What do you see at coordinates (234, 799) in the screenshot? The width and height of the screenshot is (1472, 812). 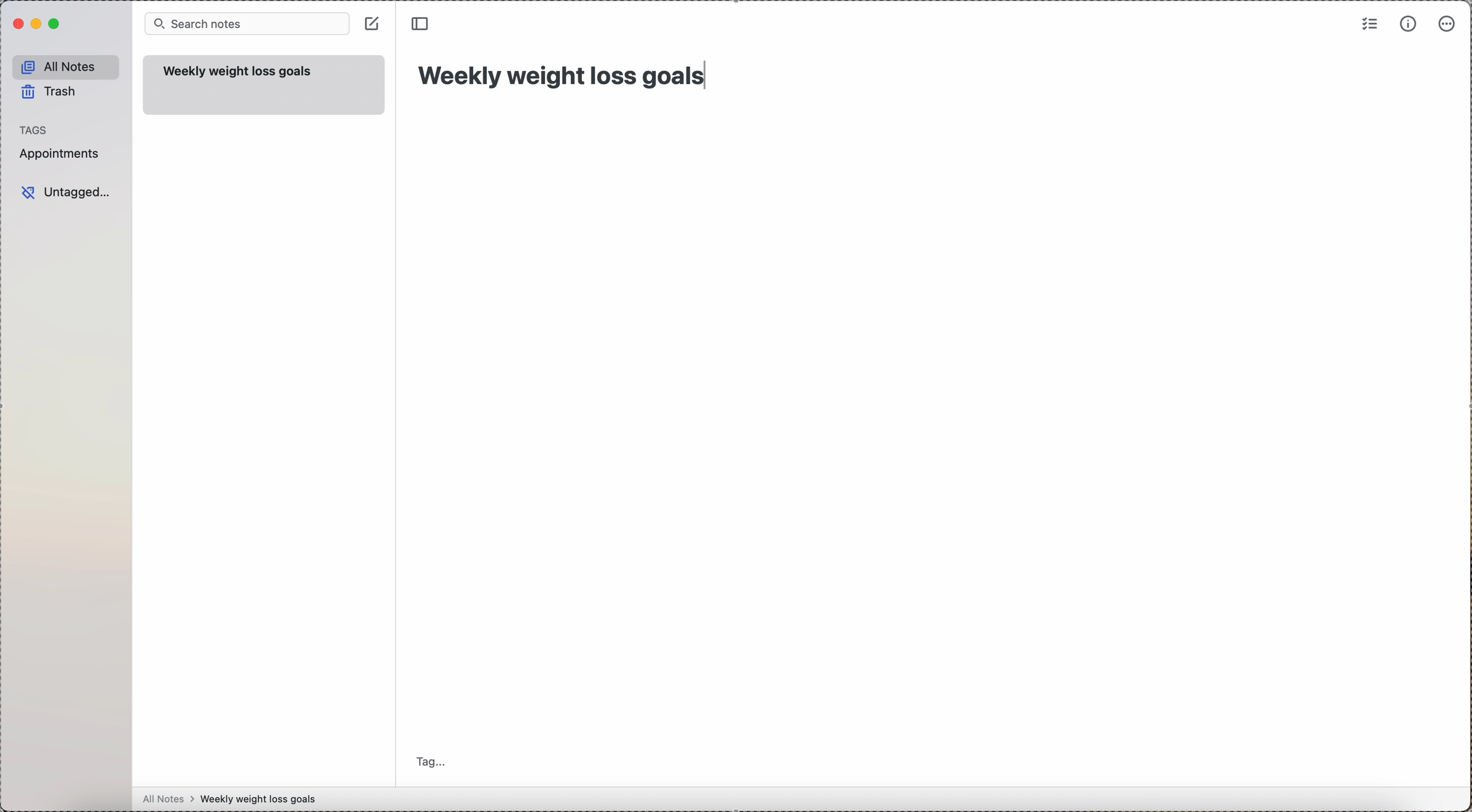 I see `all notes > weekly weight loss goals` at bounding box center [234, 799].